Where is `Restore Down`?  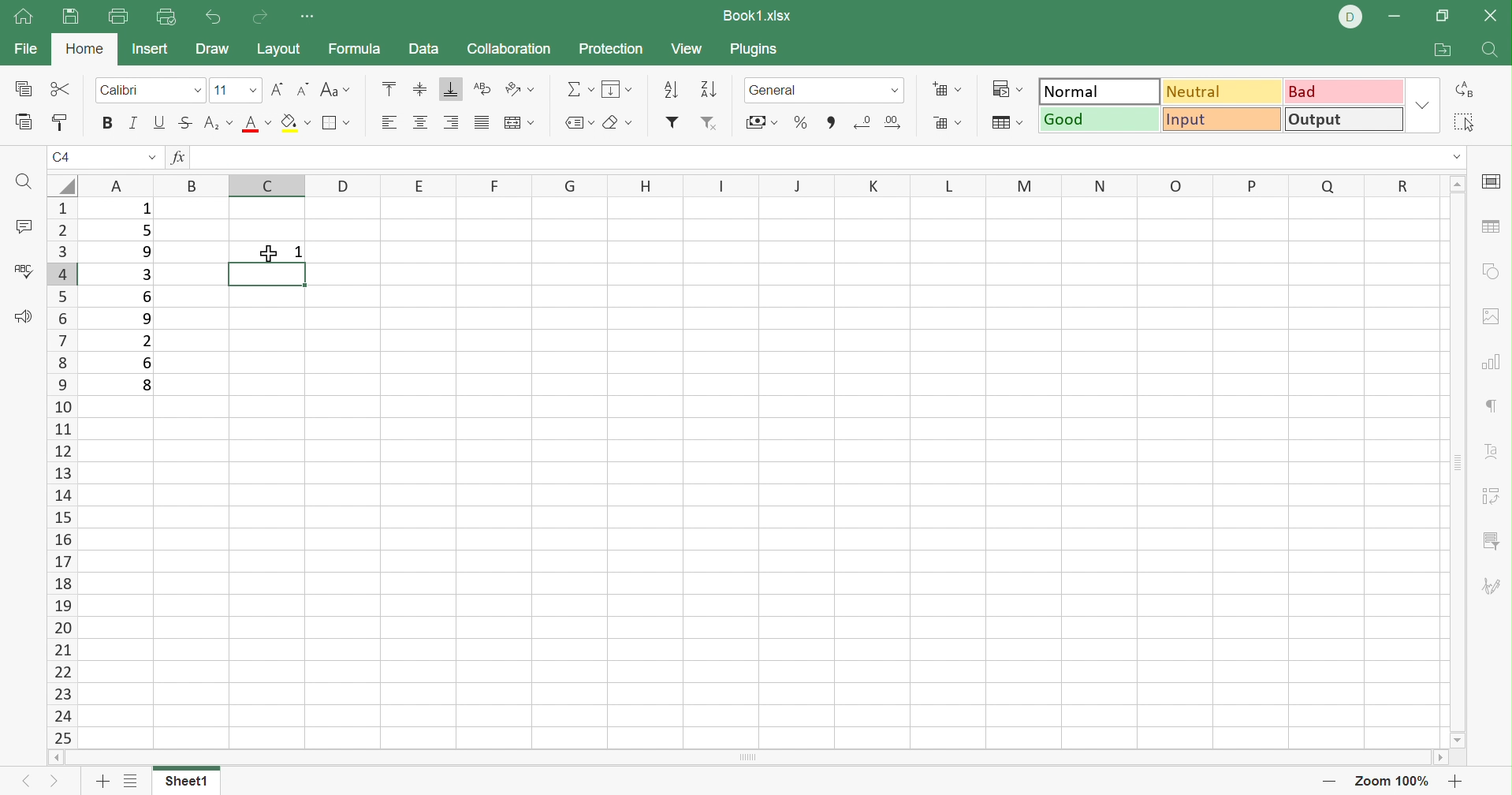
Restore Down is located at coordinates (1446, 13).